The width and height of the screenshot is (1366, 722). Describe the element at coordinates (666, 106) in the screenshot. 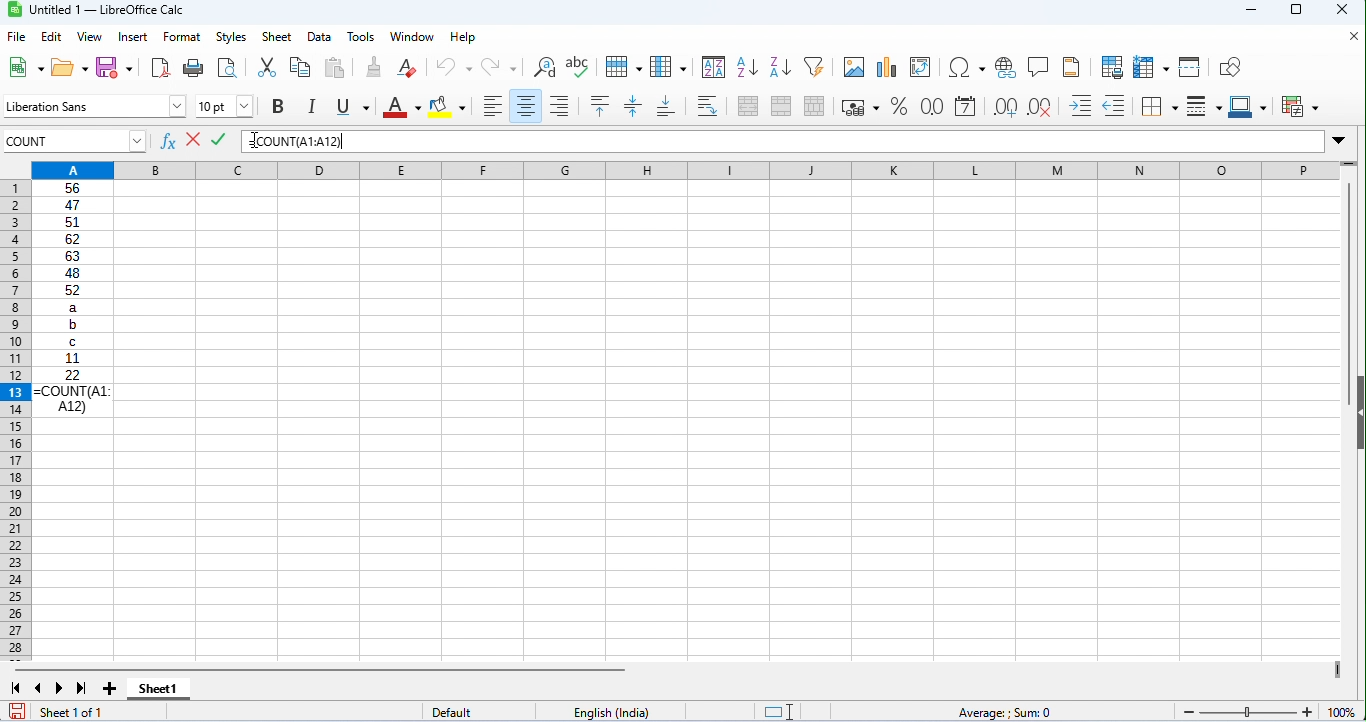

I see `align bottom` at that location.